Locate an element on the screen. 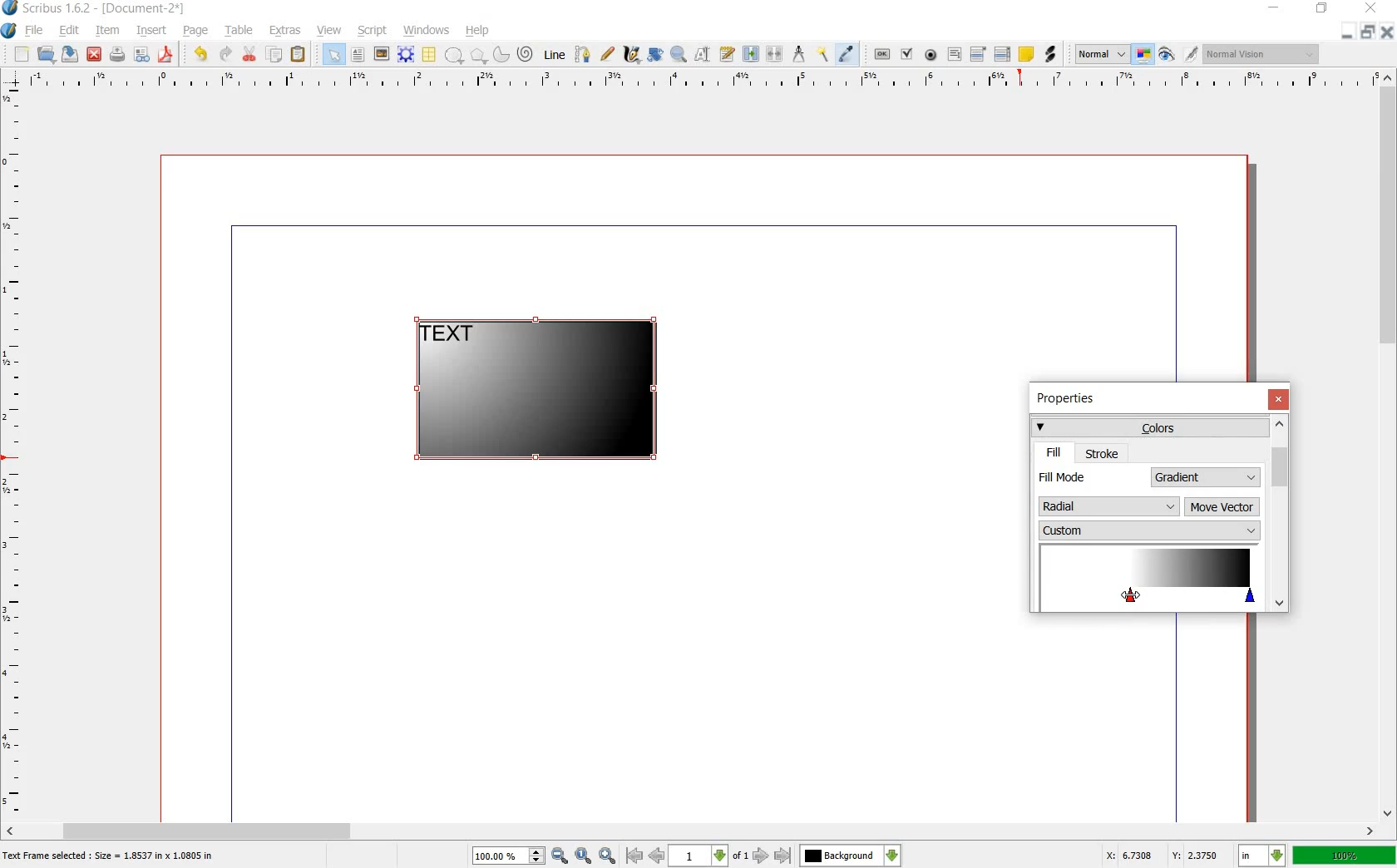 The height and width of the screenshot is (868, 1397). pdf check box is located at coordinates (906, 54).